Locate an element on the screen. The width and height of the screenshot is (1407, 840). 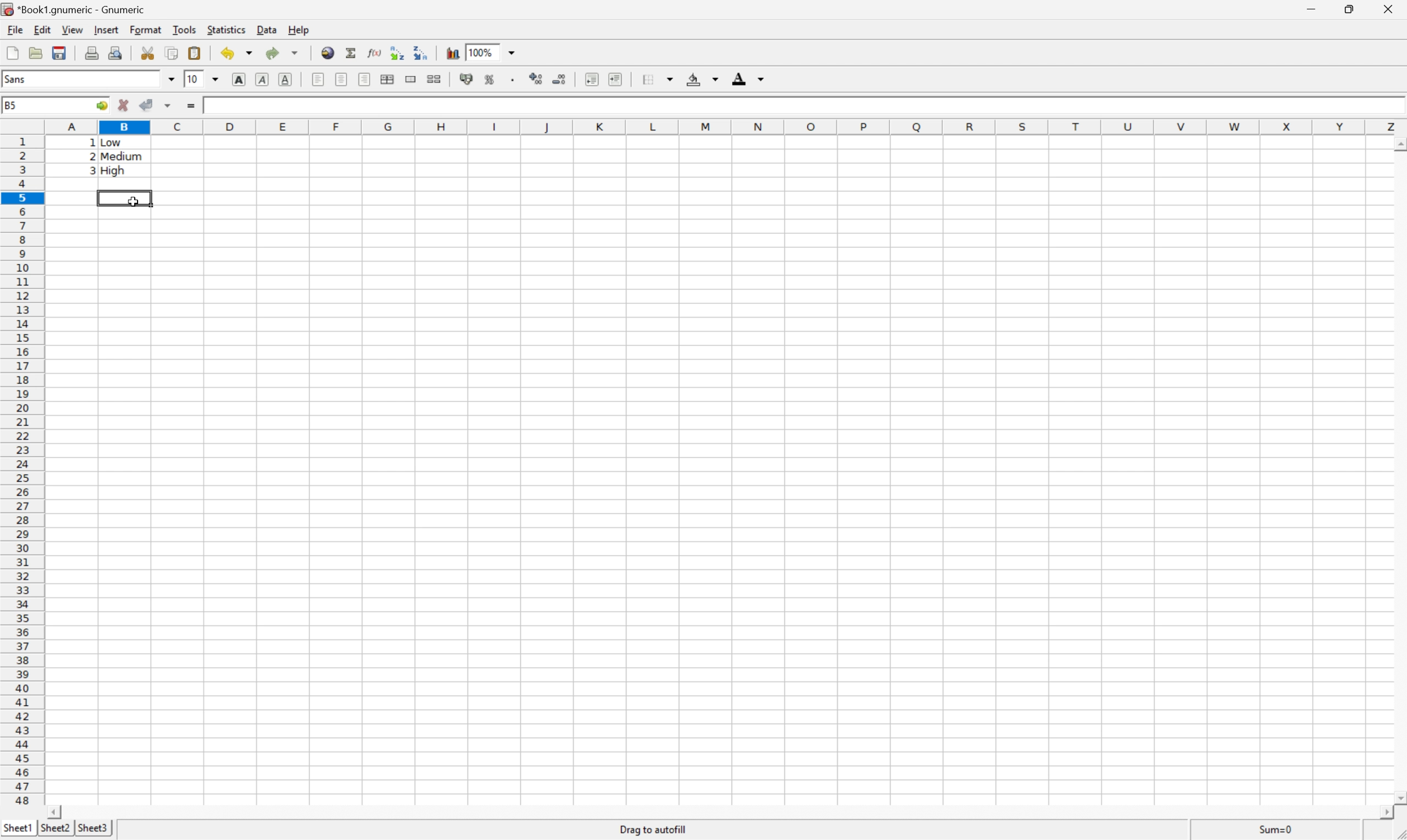
Split the ranges of merged cells is located at coordinates (434, 80).